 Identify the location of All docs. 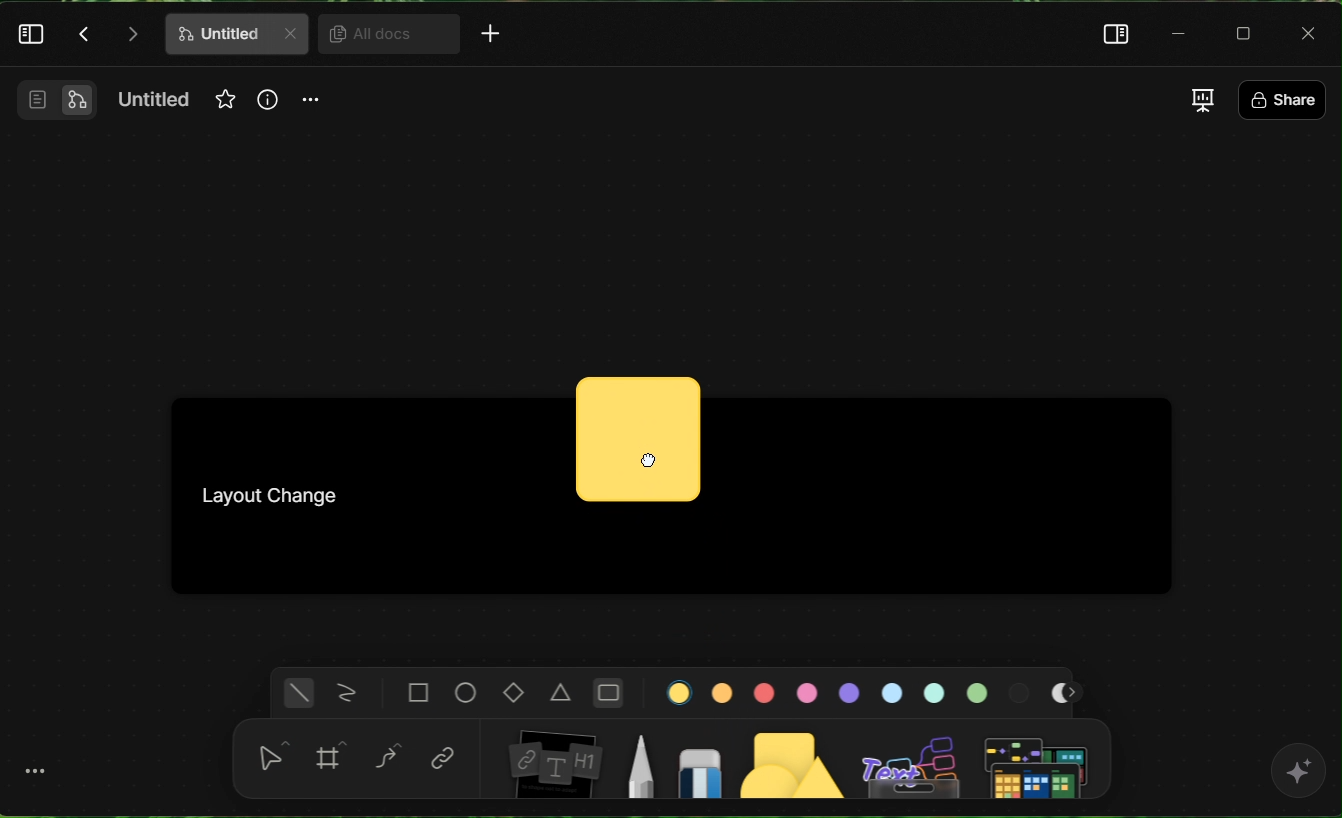
(381, 35).